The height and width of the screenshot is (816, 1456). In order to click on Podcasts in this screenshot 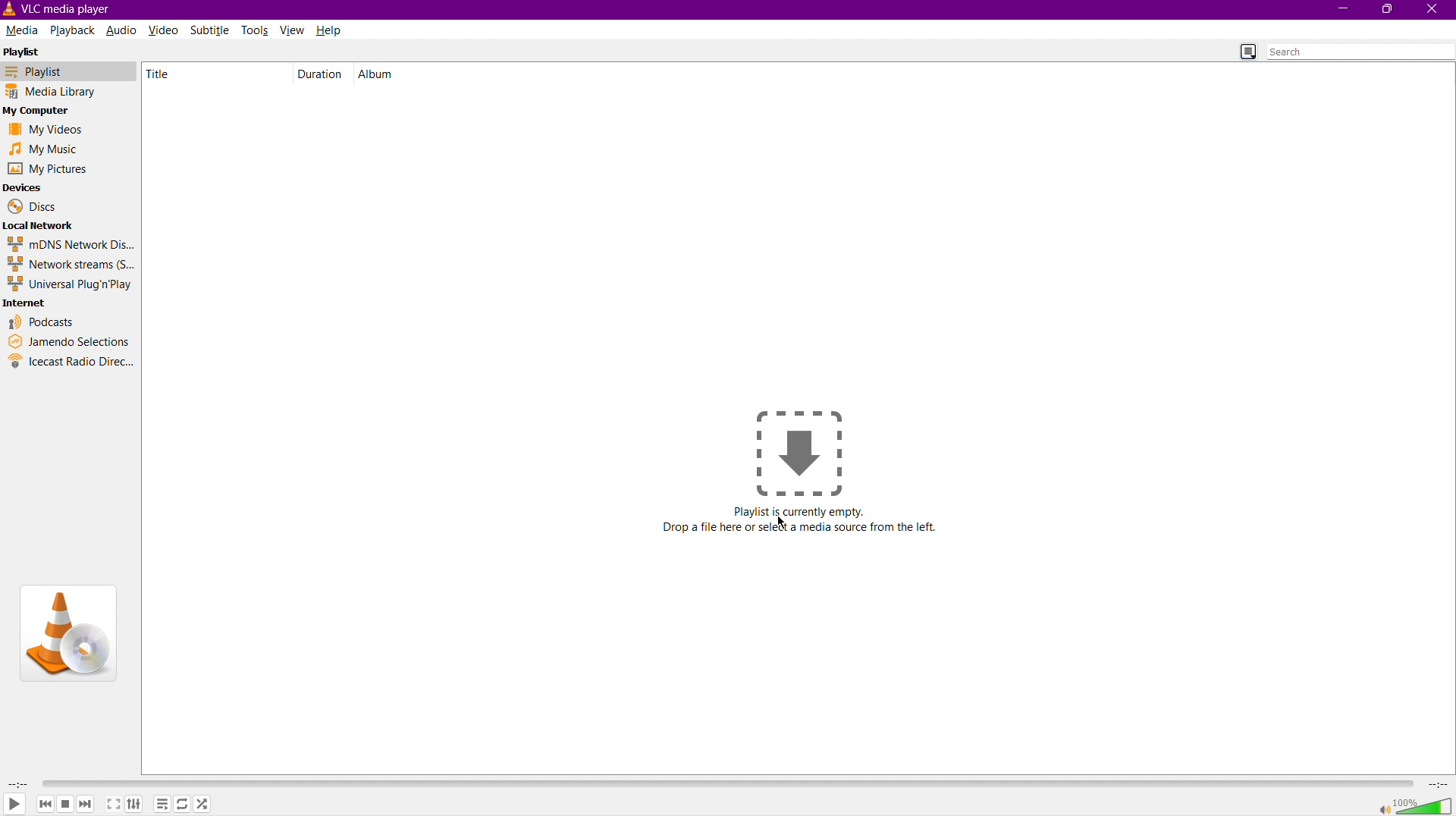, I will do `click(44, 319)`.